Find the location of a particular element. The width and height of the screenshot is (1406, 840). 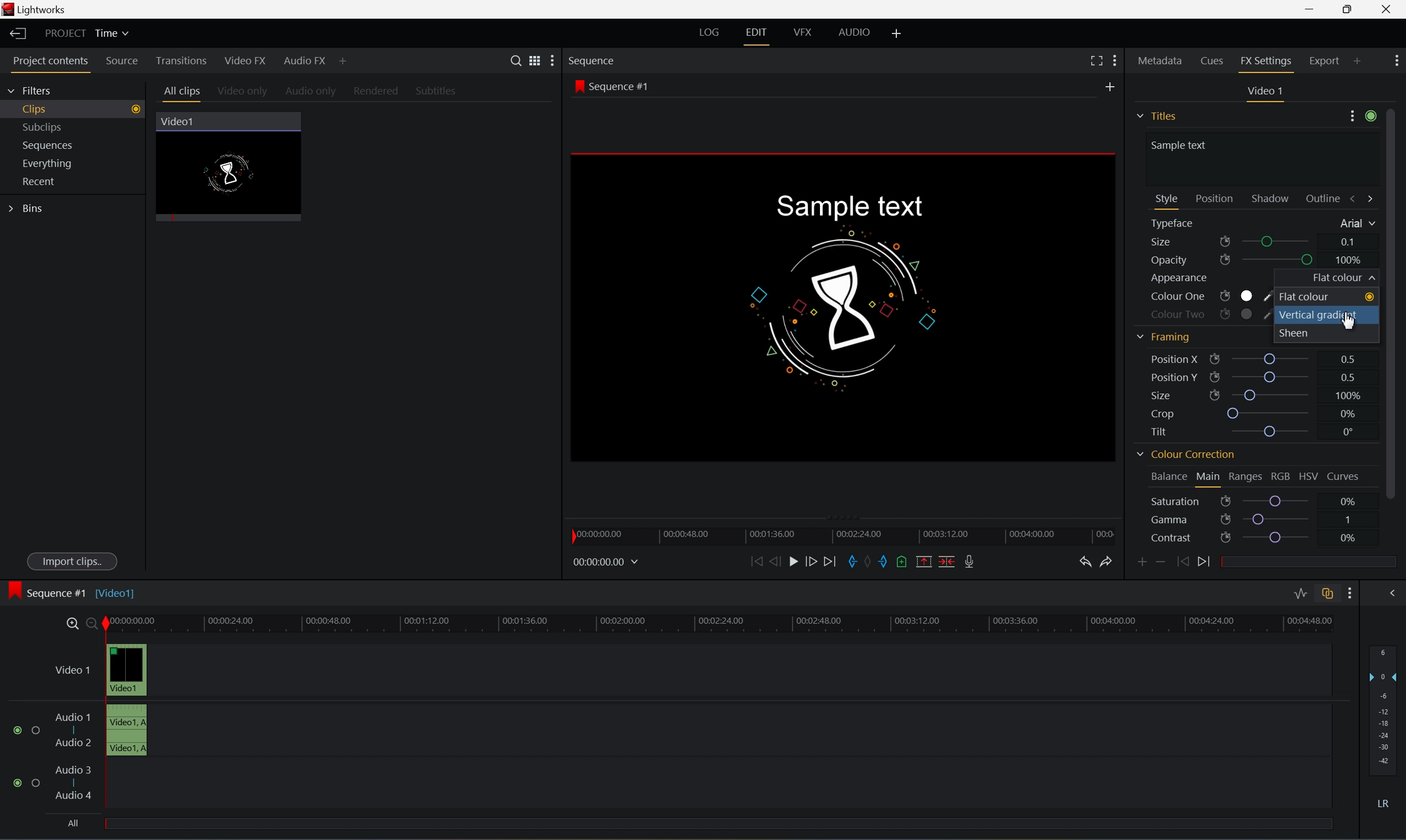

ranges is located at coordinates (1245, 477).